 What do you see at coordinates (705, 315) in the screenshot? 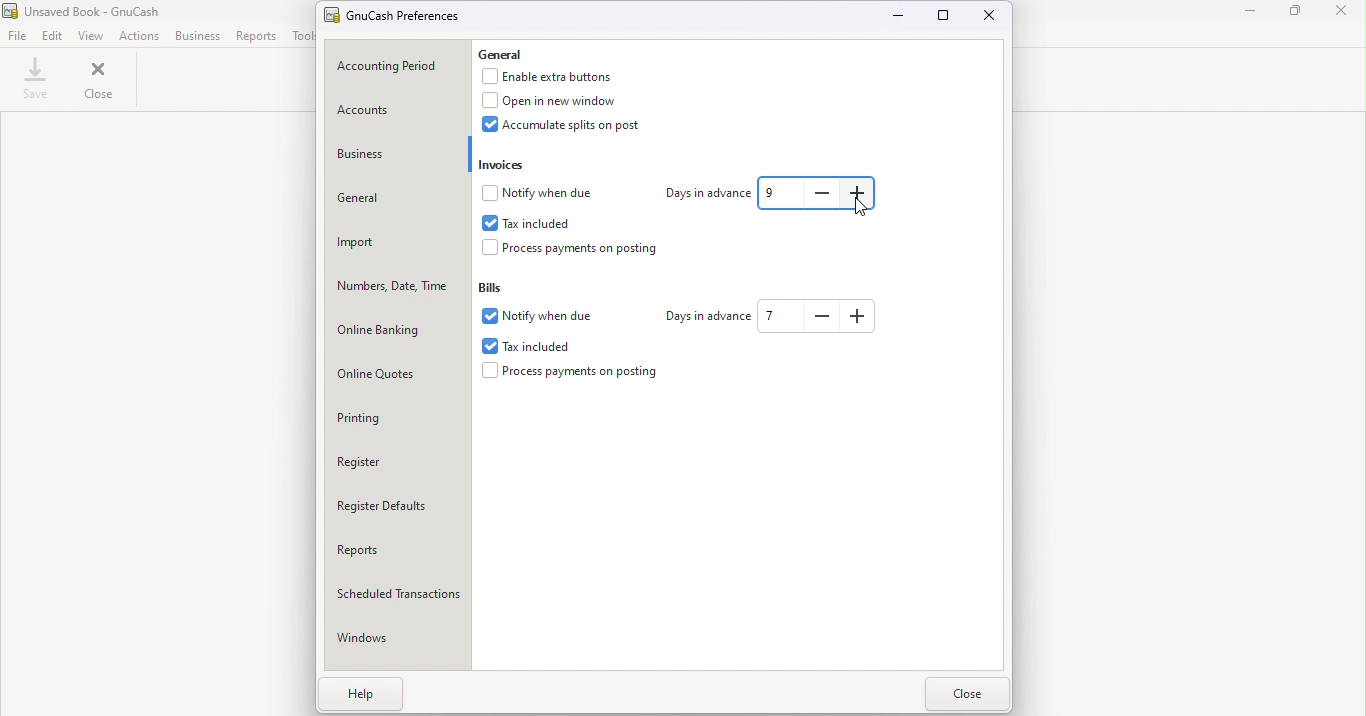
I see `Days in advance` at bounding box center [705, 315].